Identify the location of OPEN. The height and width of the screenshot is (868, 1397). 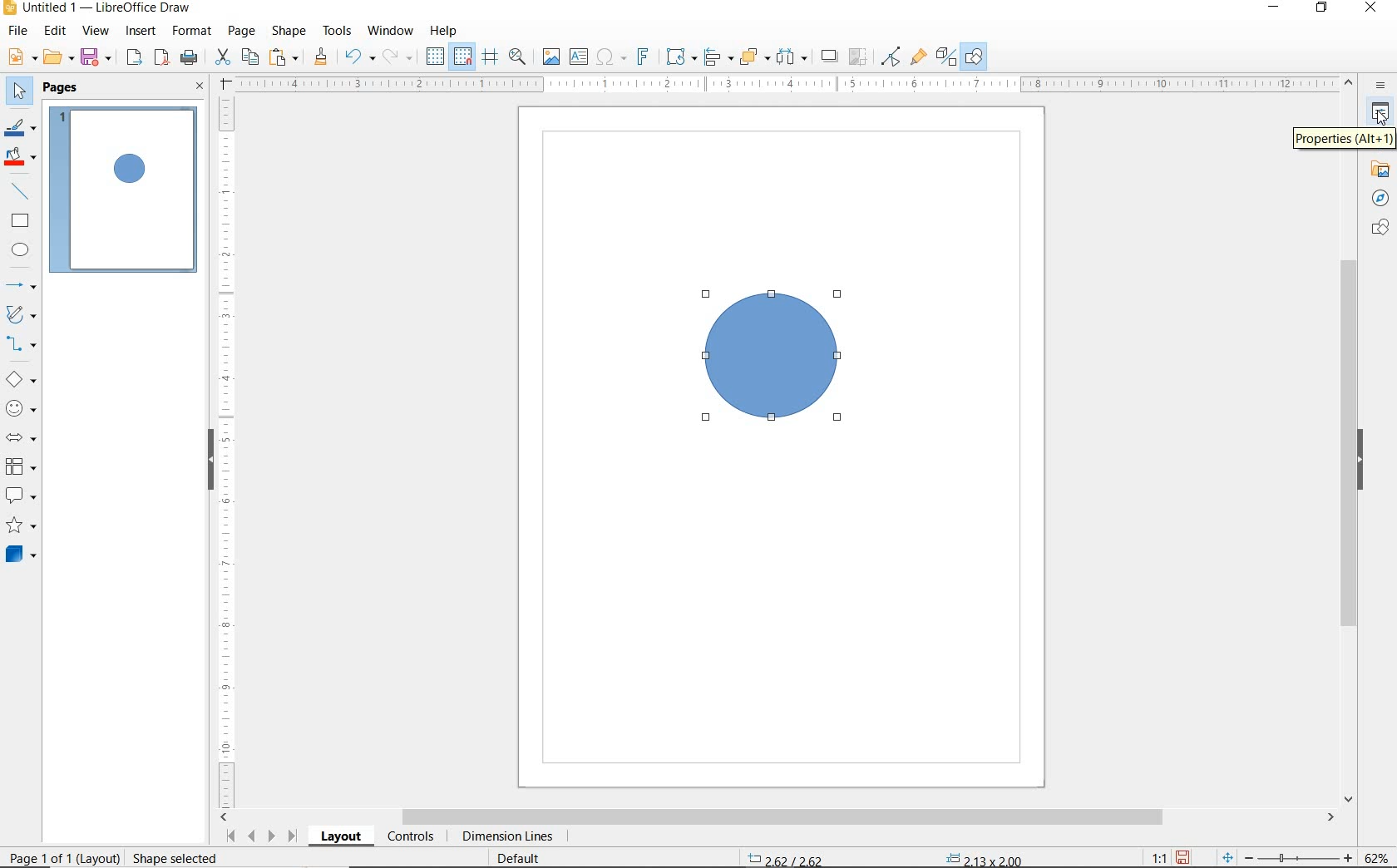
(58, 57).